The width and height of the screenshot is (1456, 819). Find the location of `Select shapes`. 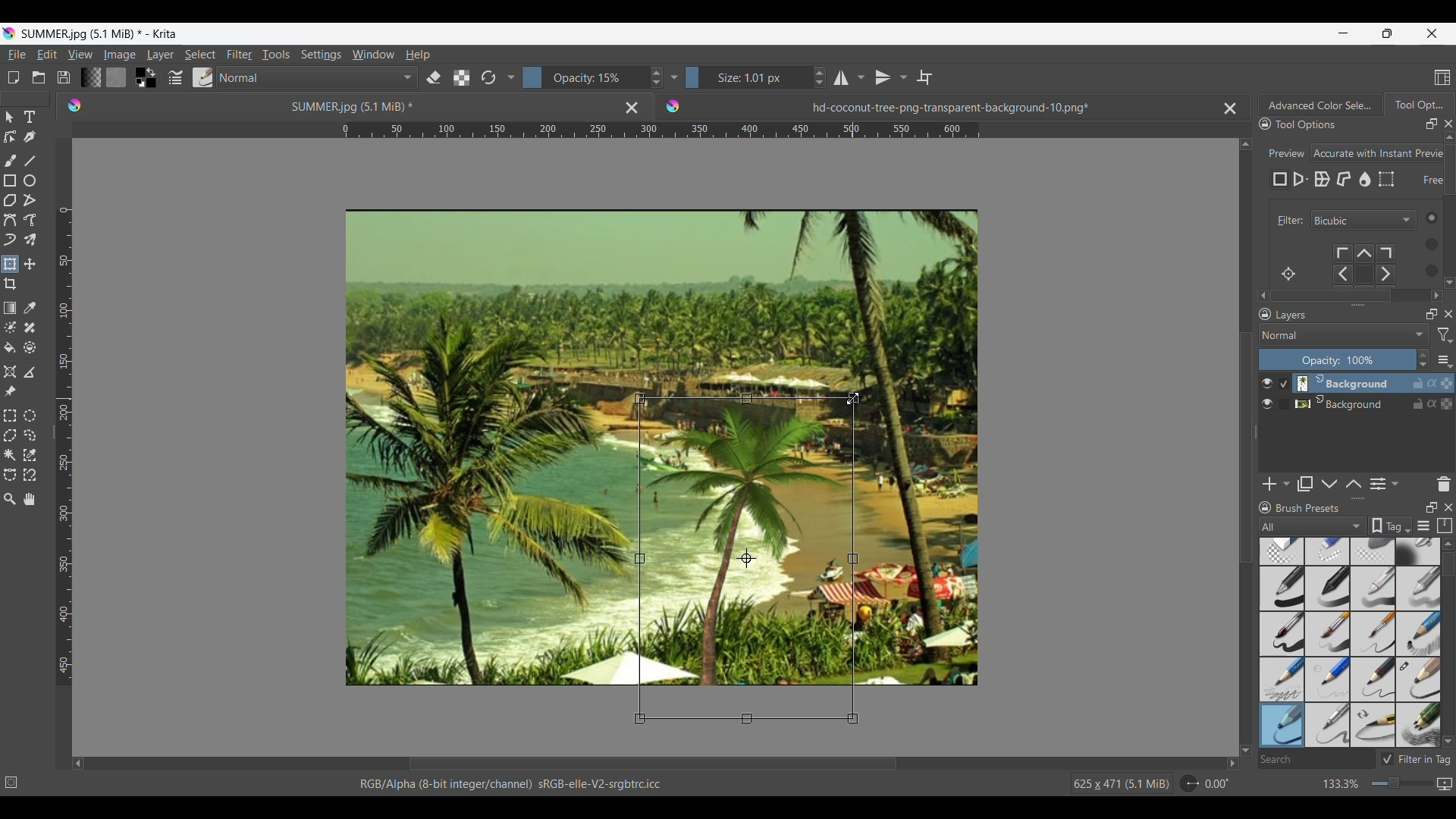

Select shapes is located at coordinates (10, 117).